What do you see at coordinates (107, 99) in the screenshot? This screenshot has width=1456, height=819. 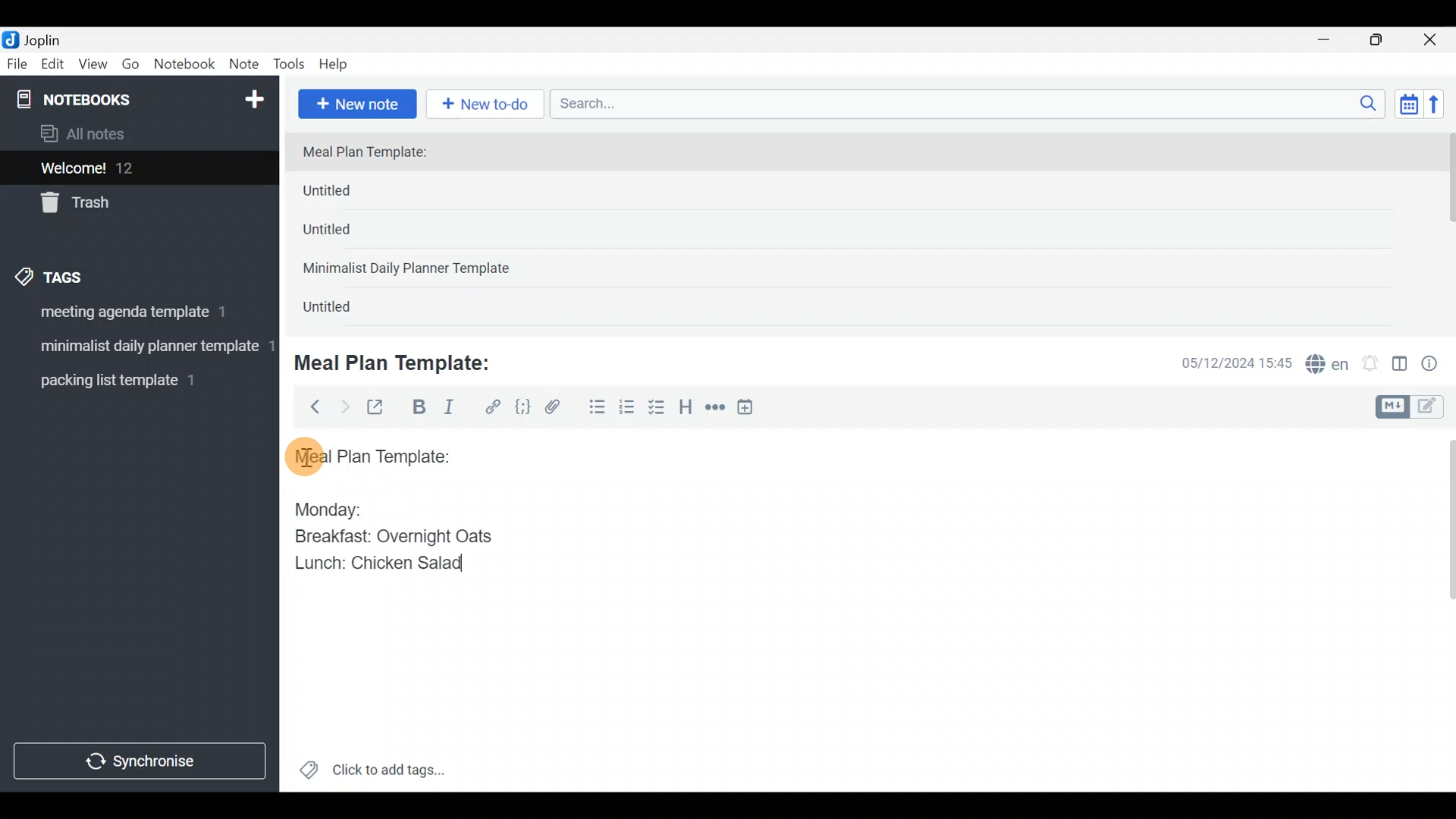 I see `Notebooks` at bounding box center [107, 99].